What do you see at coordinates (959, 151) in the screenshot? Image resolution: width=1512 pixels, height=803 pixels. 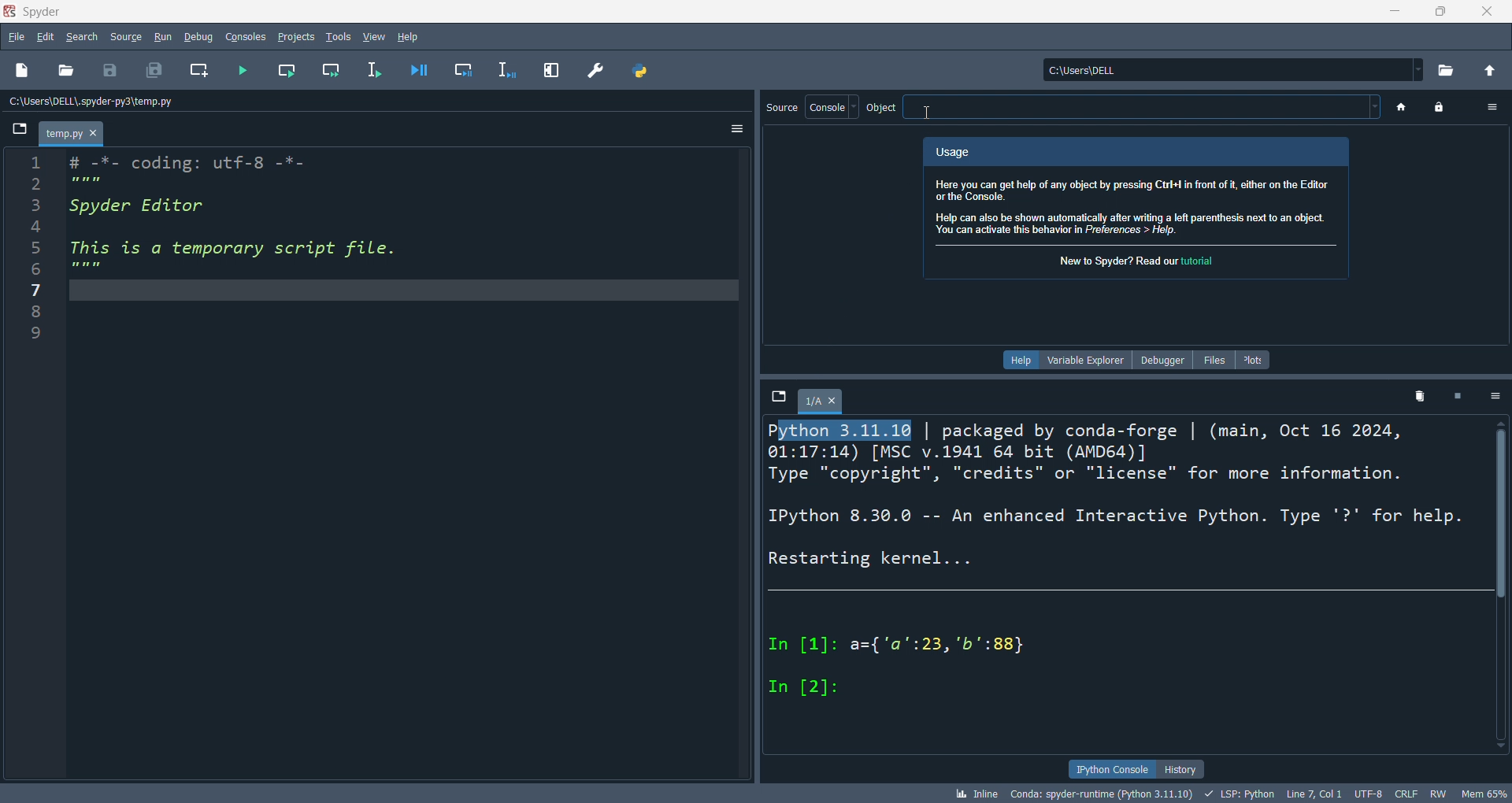 I see `Usage` at bounding box center [959, 151].